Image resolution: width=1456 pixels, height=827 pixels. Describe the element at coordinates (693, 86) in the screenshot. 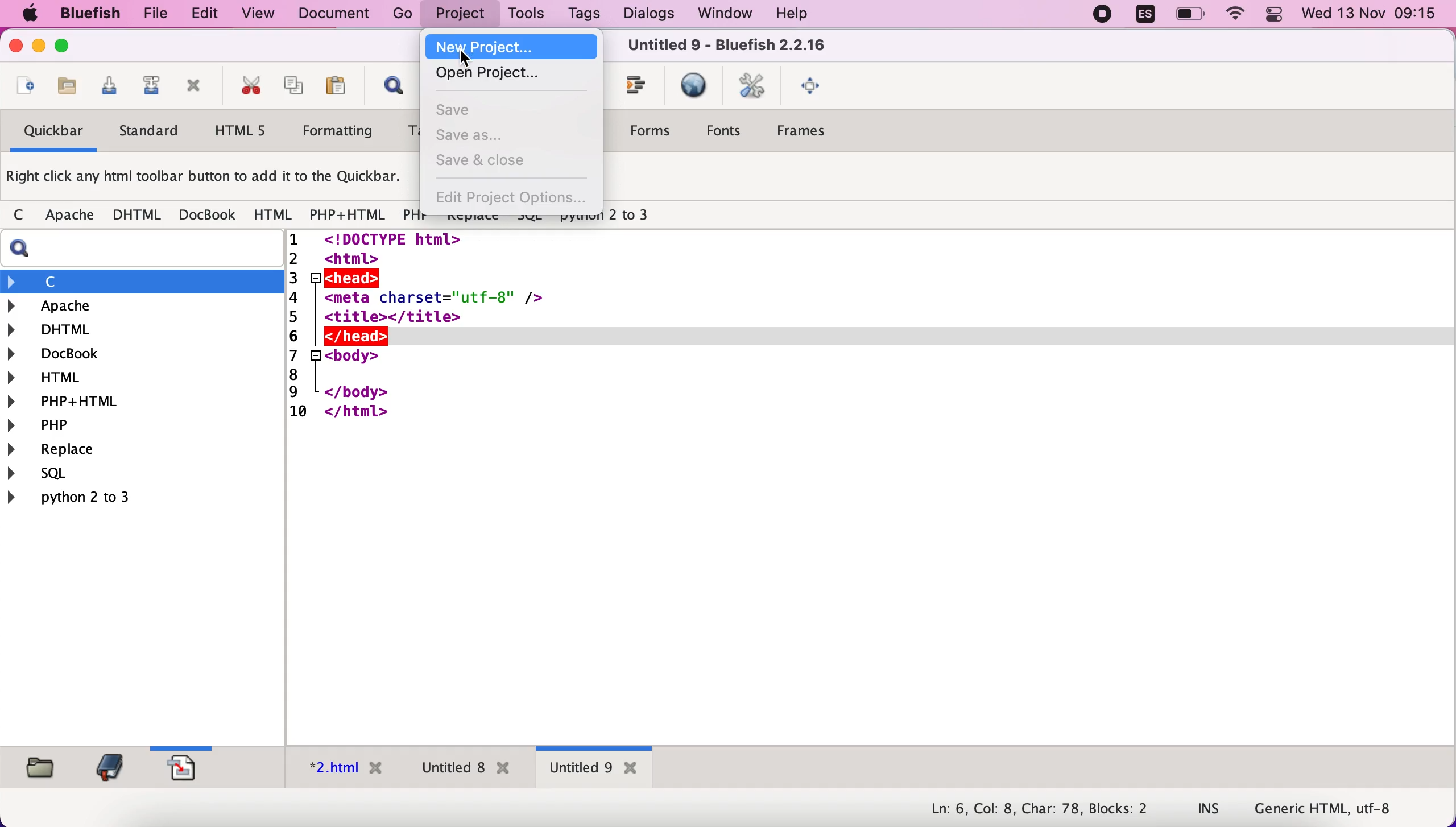

I see `preview in browser` at that location.